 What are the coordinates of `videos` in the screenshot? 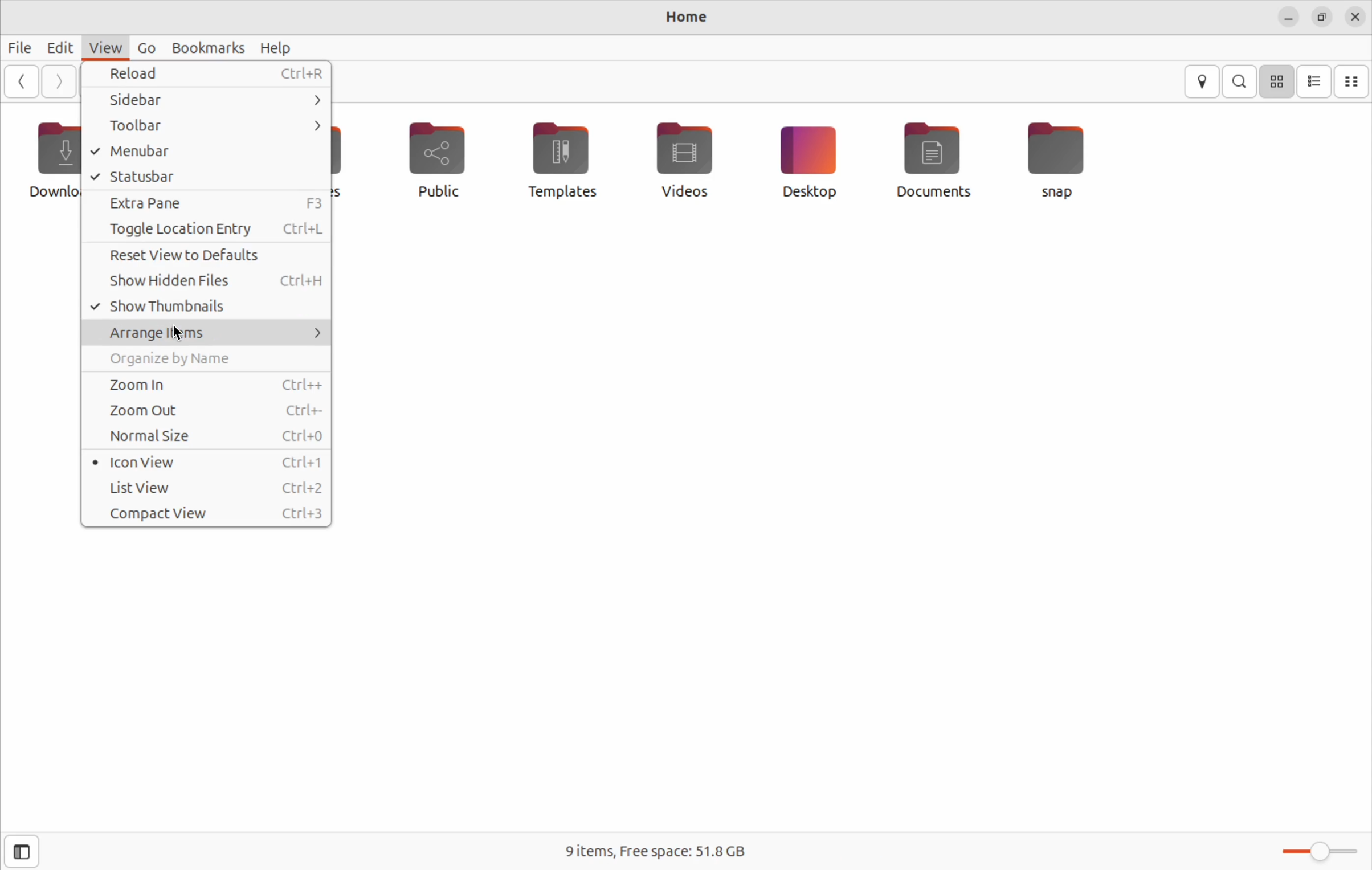 It's located at (684, 157).